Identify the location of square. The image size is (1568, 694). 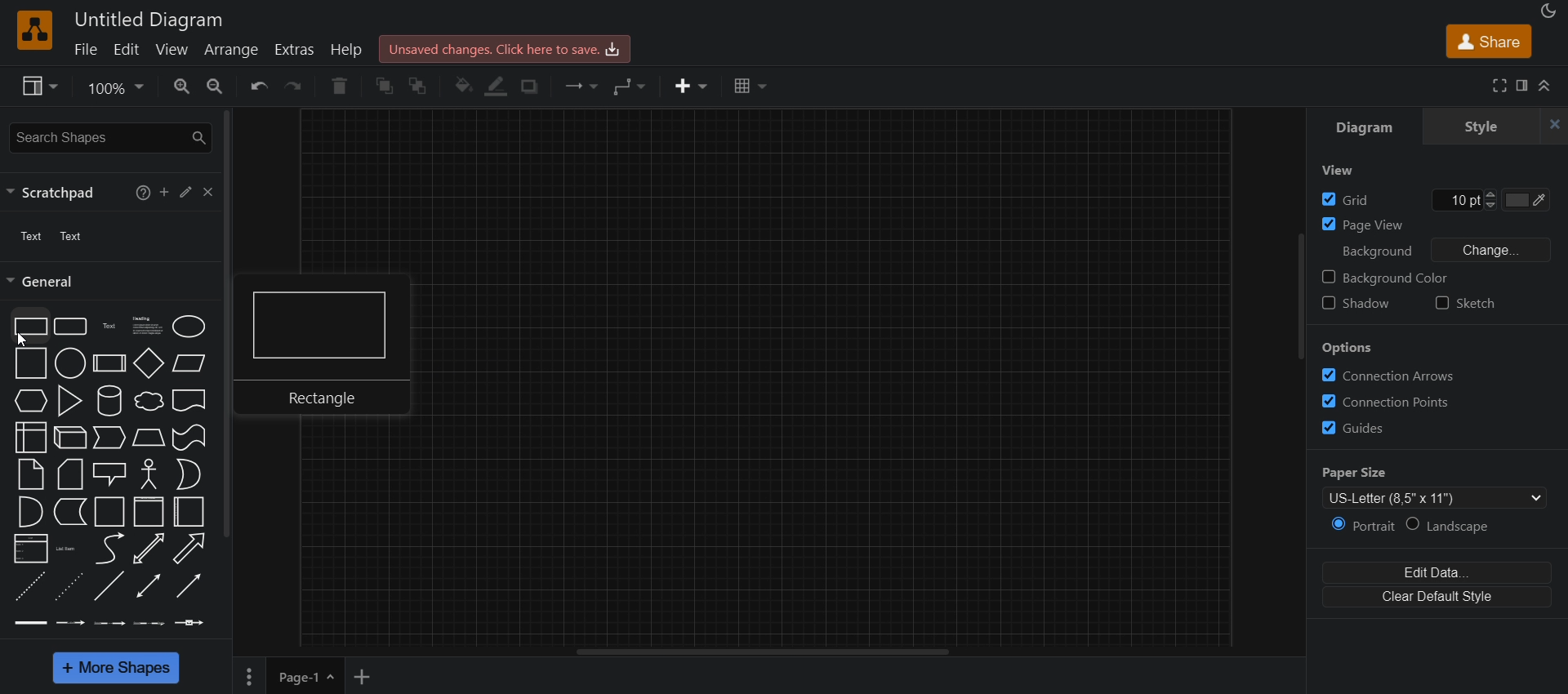
(30, 363).